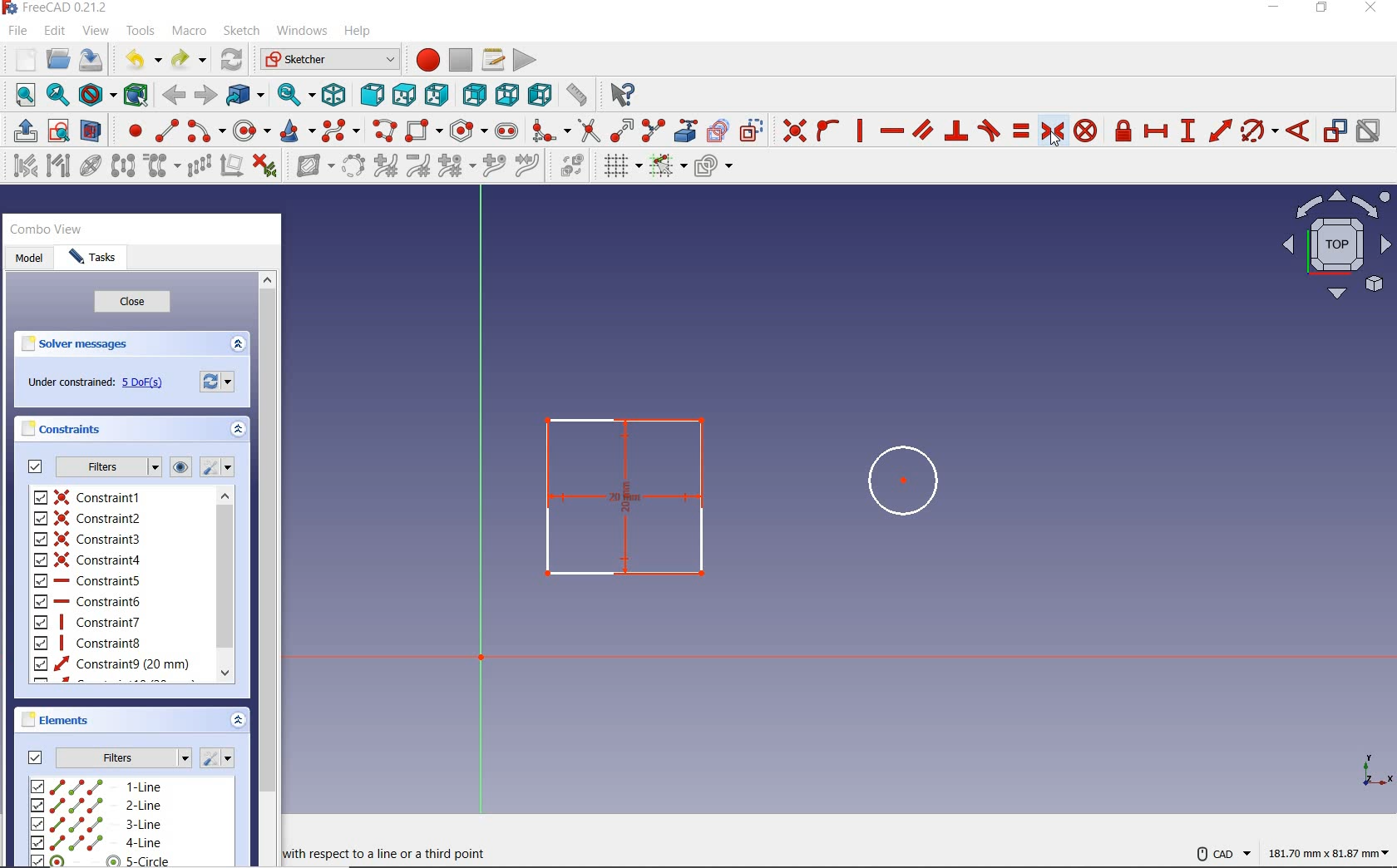 This screenshot has width=1397, height=868. What do you see at coordinates (569, 167) in the screenshot?
I see `switch virtual space` at bounding box center [569, 167].